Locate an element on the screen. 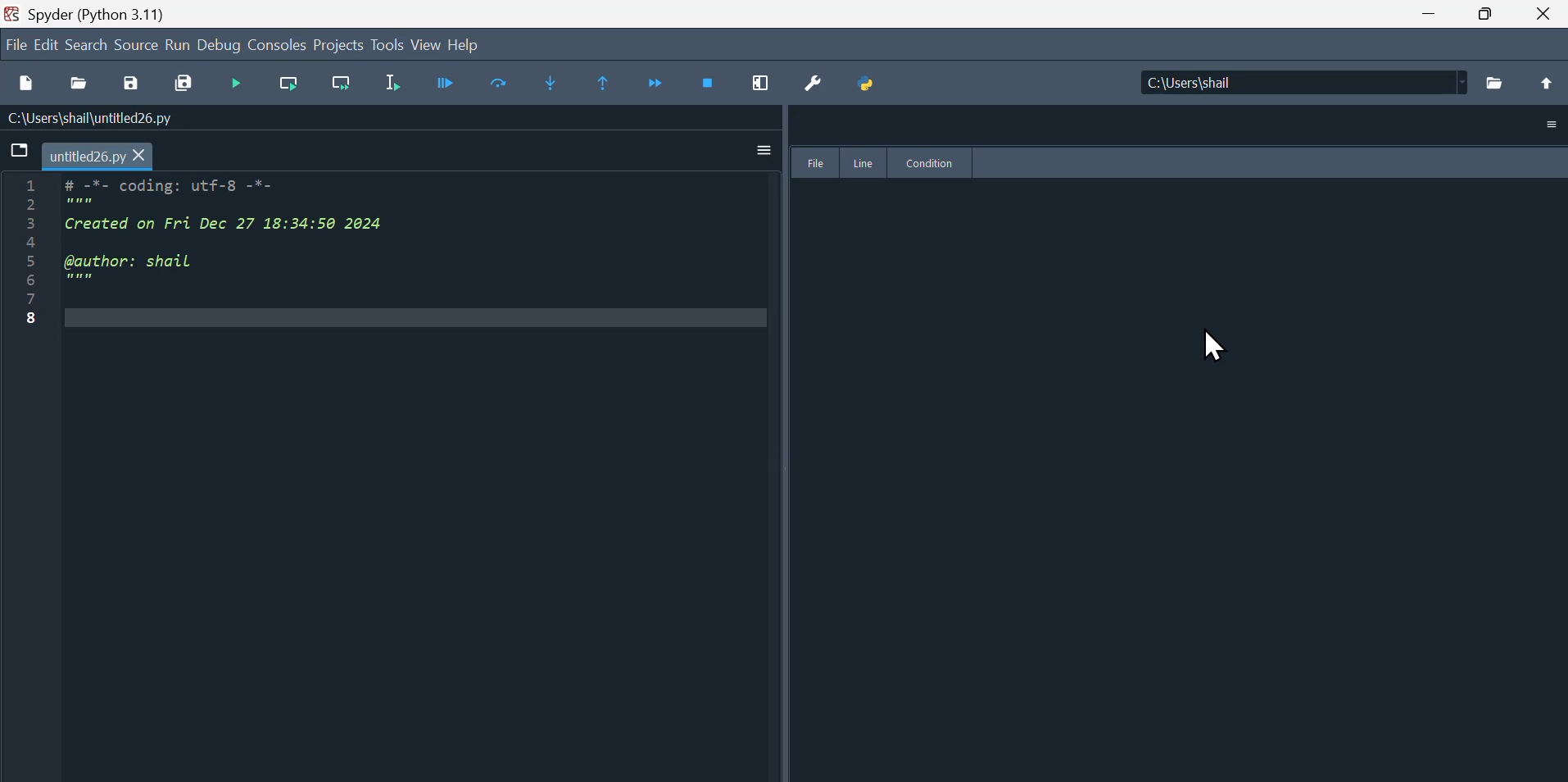  Run current line and go to the next one is located at coordinates (346, 84).